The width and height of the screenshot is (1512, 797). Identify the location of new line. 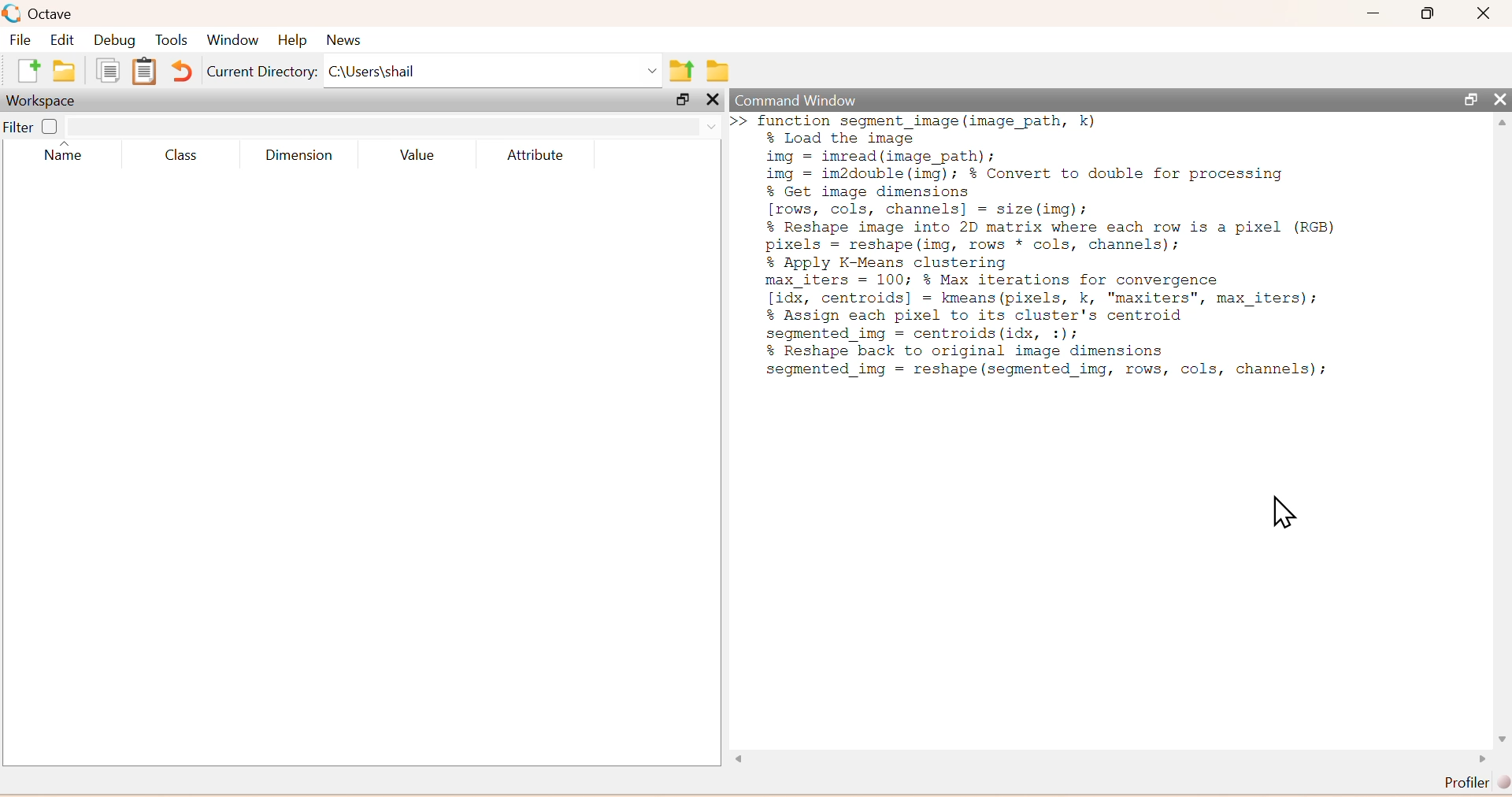
(739, 120).